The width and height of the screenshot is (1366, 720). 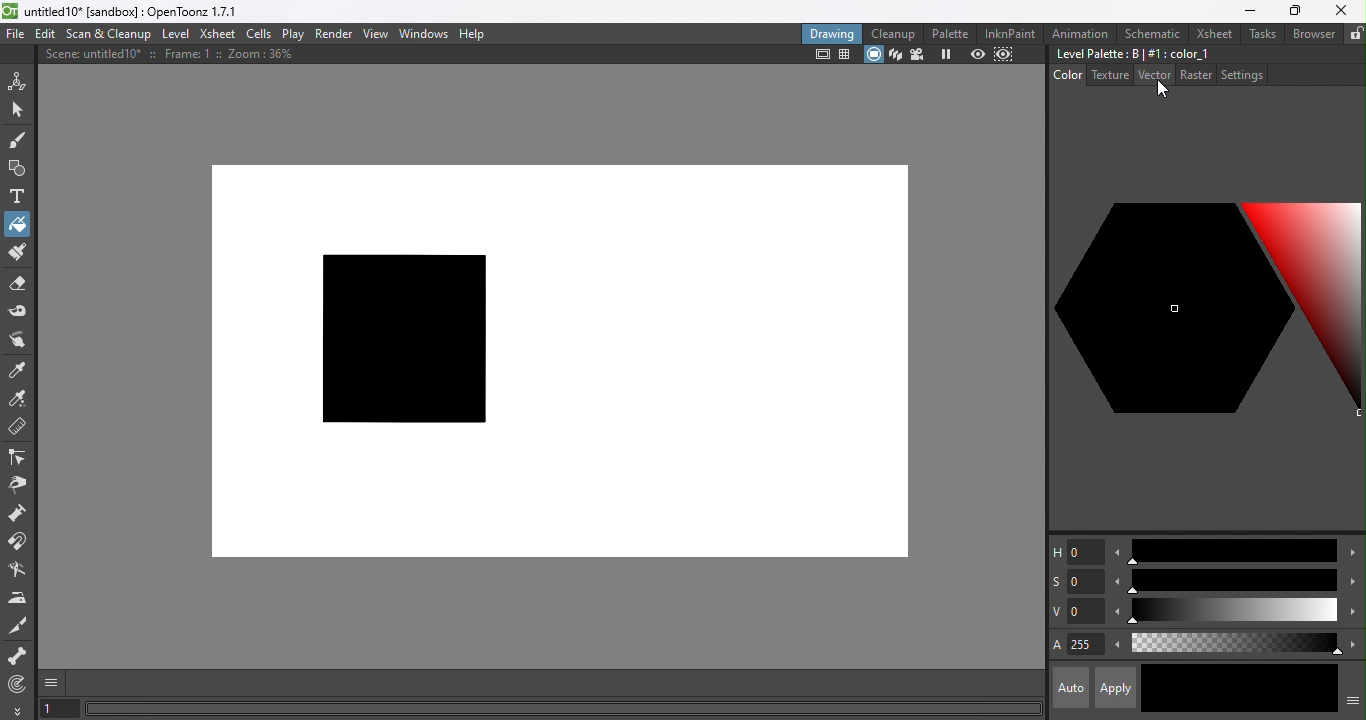 What do you see at coordinates (1114, 688) in the screenshot?
I see `Apply` at bounding box center [1114, 688].